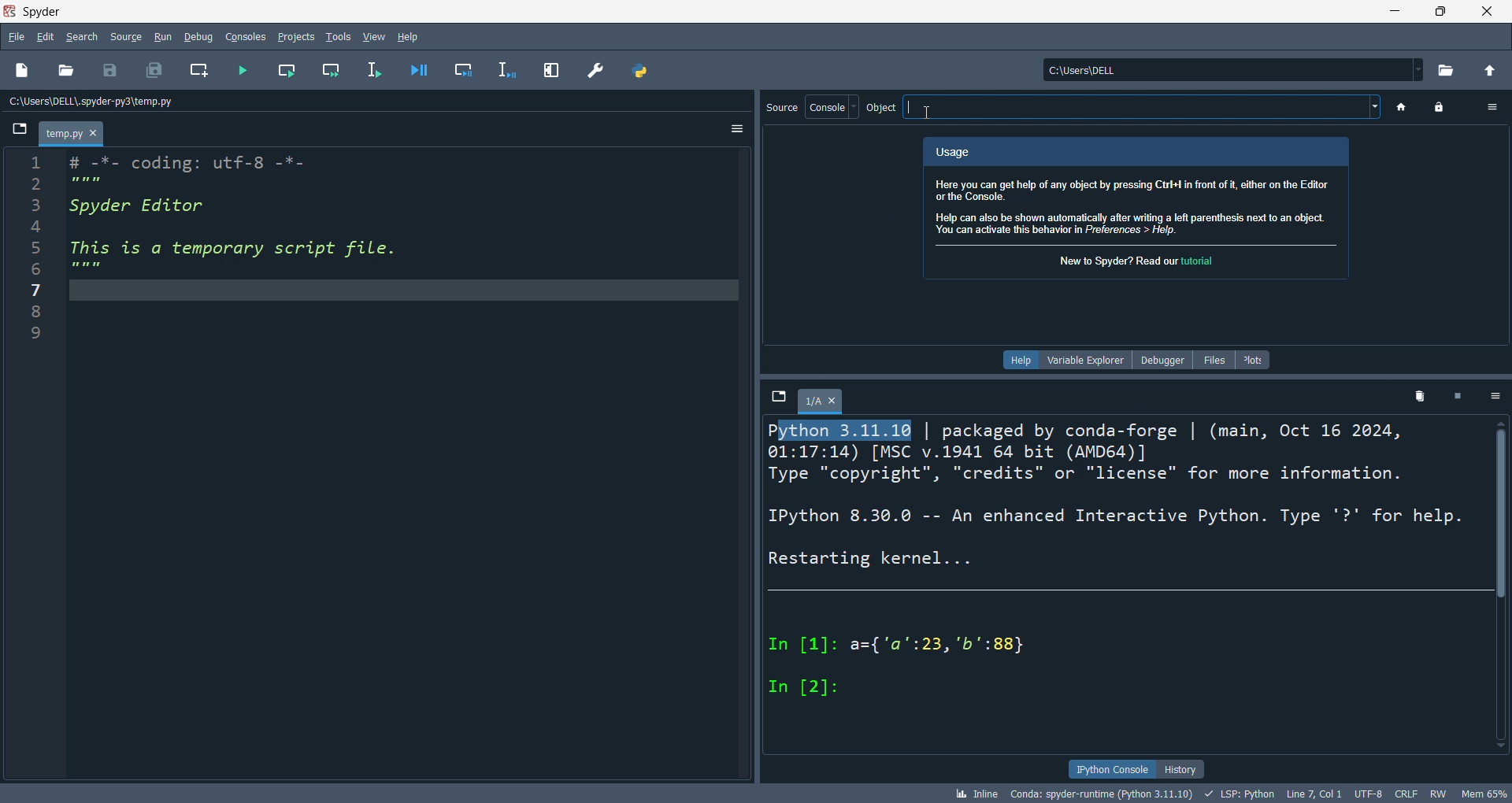 This screenshot has width=1512, height=803. I want to click on delete, so click(1407, 396).